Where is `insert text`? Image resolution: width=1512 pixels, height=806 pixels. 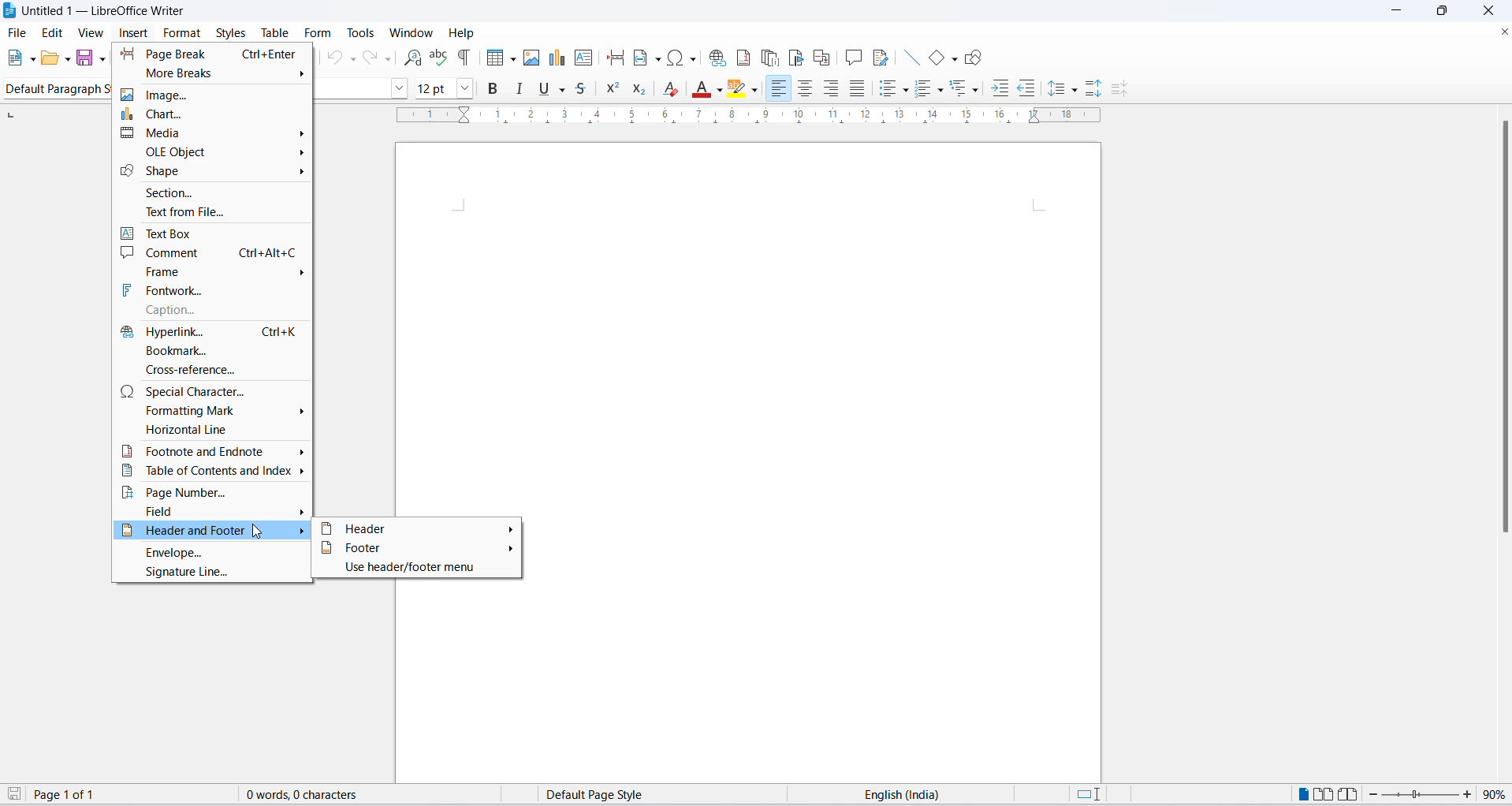 insert text is located at coordinates (583, 58).